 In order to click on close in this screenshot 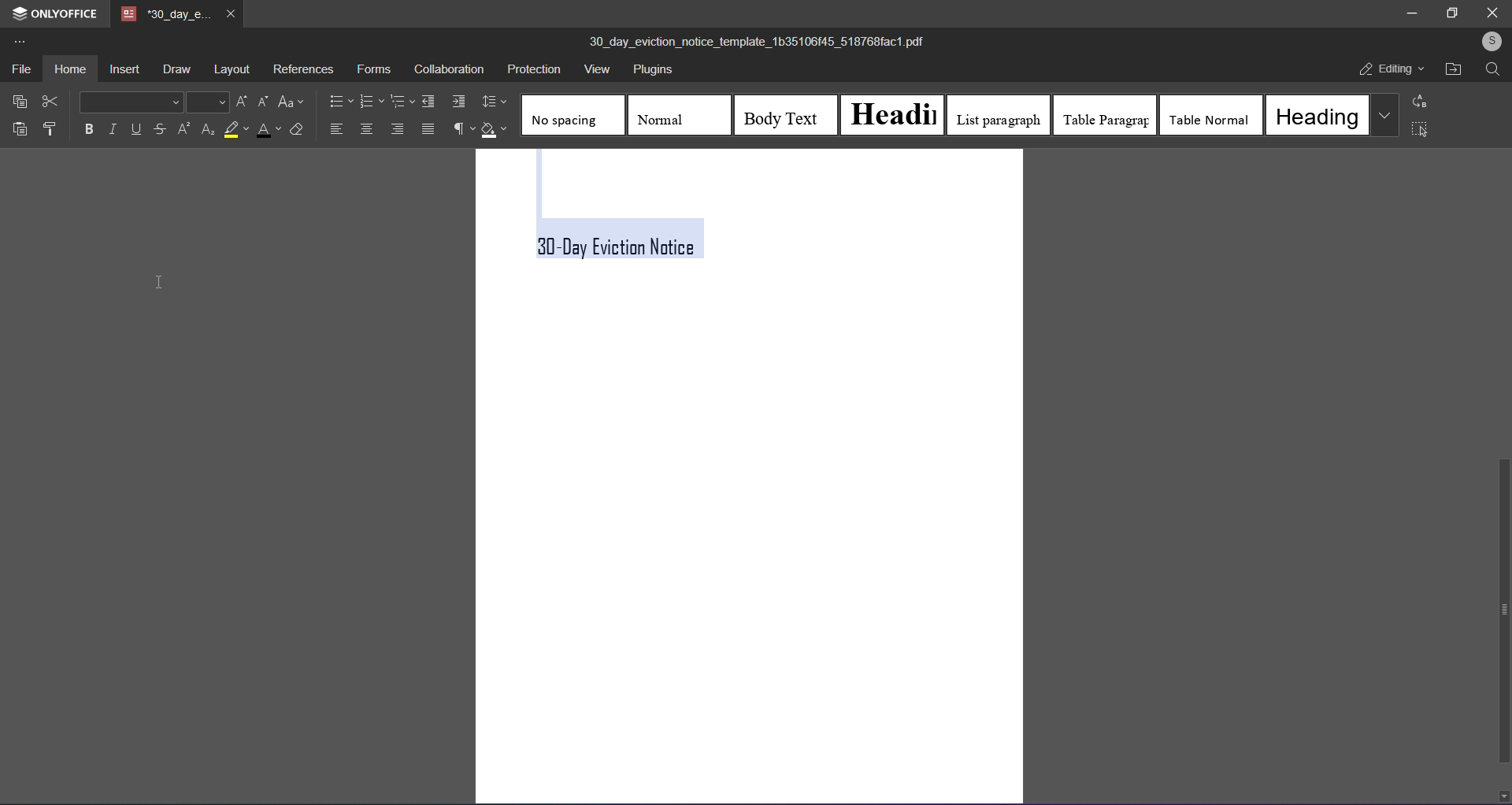, I will do `click(1493, 13)`.